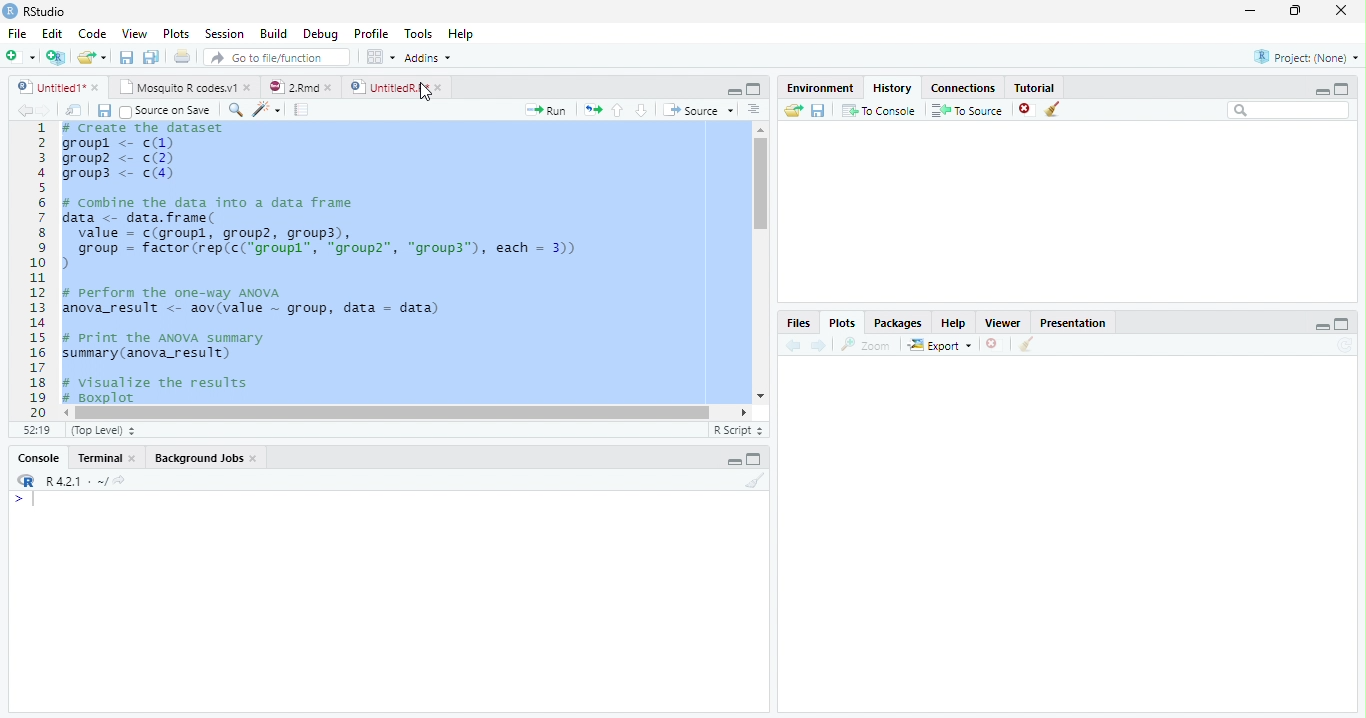 This screenshot has height=718, width=1366. Describe the element at coordinates (150, 57) in the screenshot. I see `Save All open documents` at that location.